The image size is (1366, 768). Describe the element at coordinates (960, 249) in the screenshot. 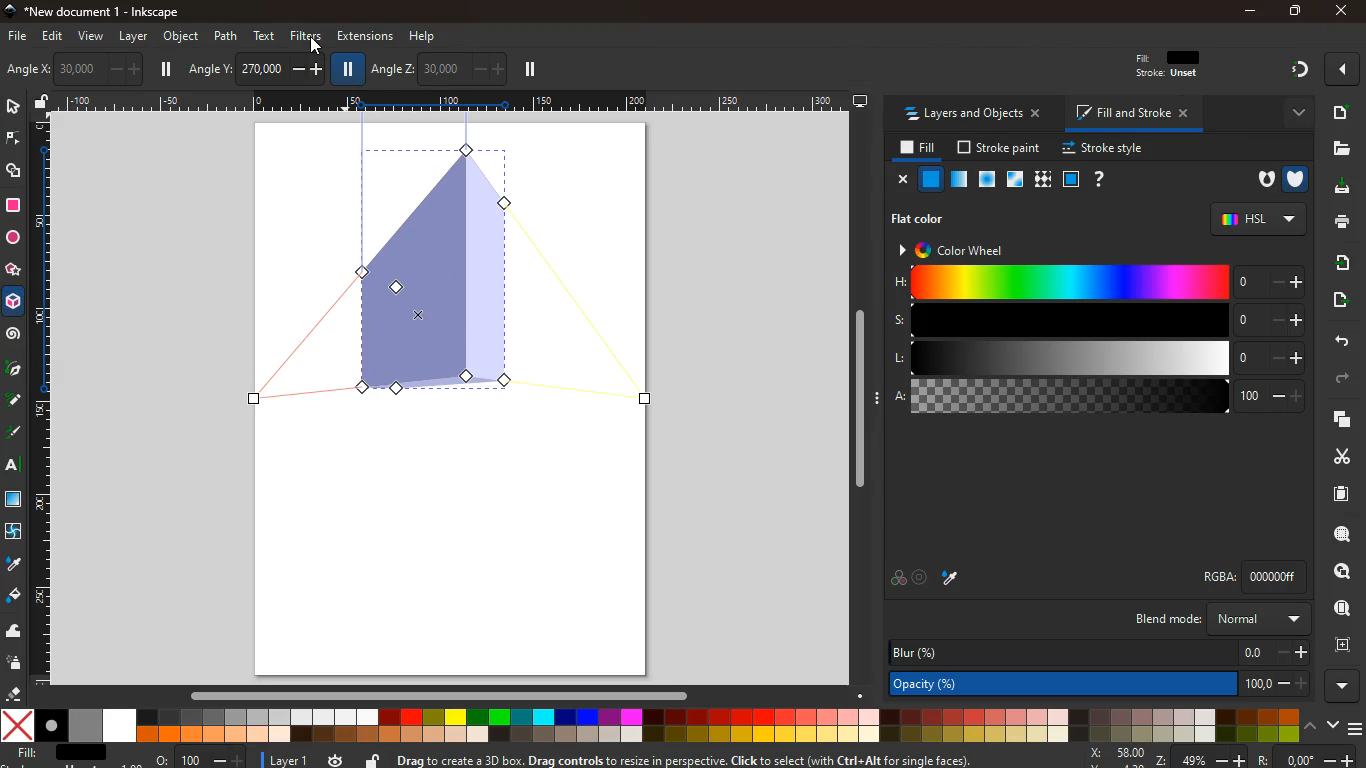

I see `color wheel` at that location.